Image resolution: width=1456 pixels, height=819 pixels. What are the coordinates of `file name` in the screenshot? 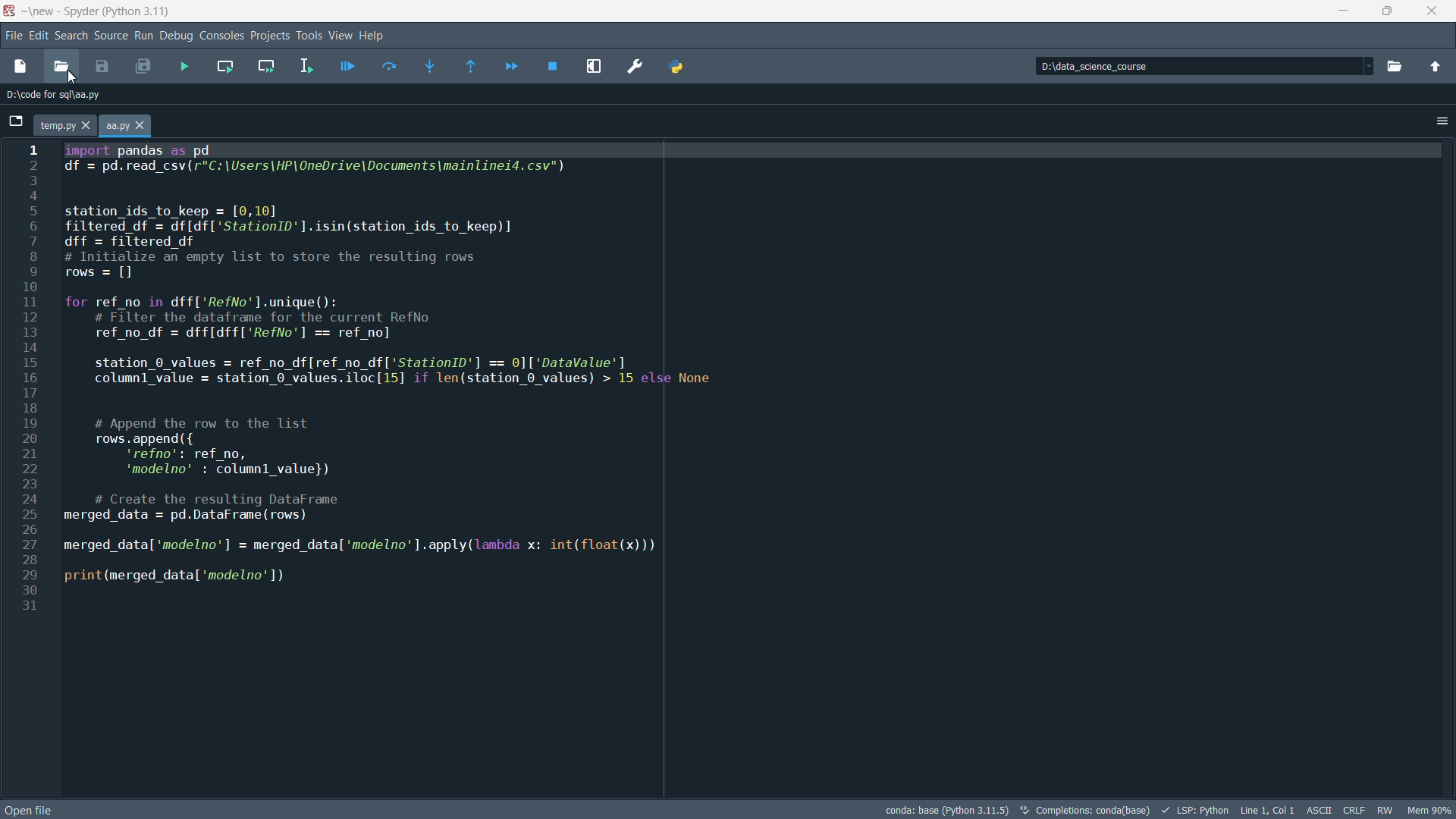 It's located at (54, 125).